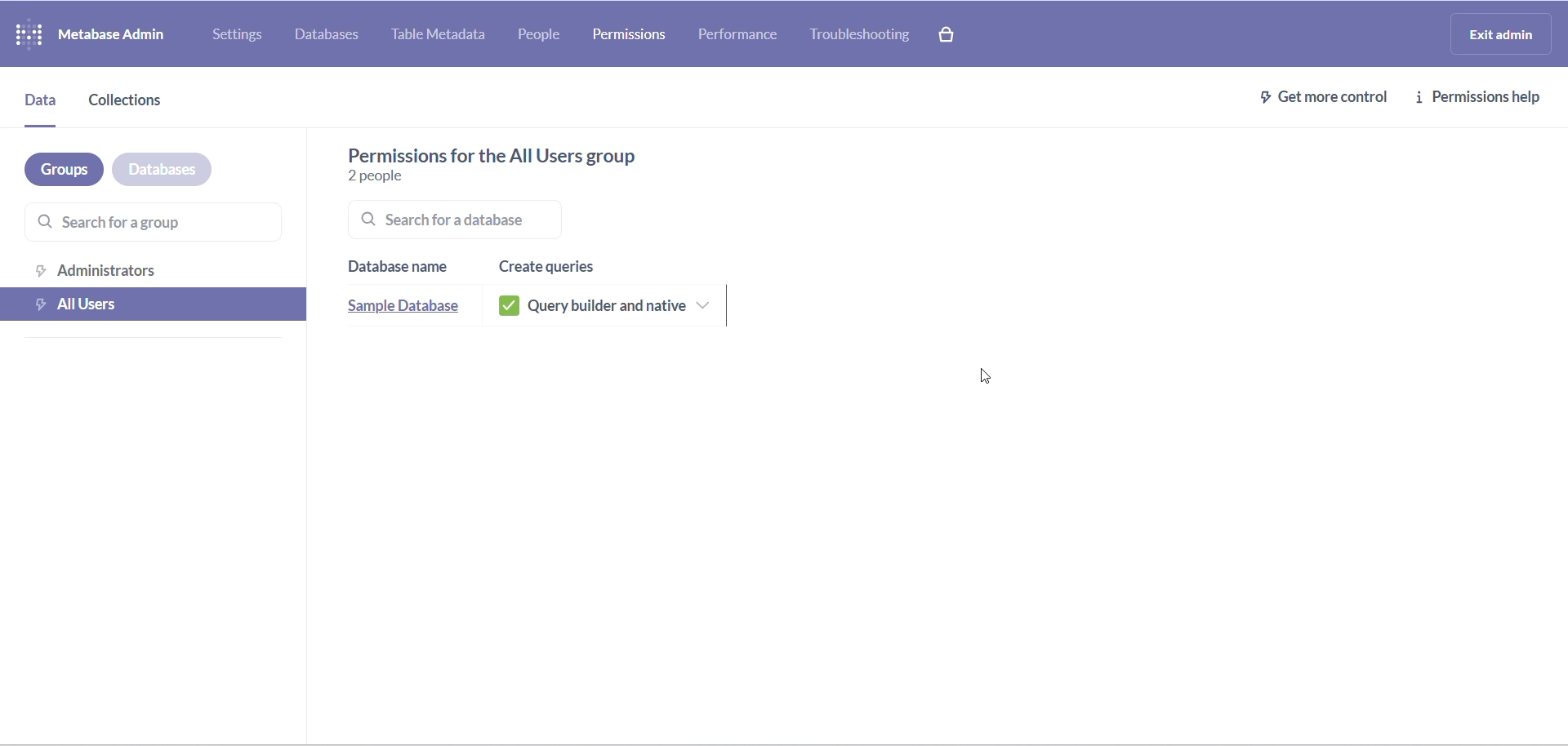  I want to click on sample database, so click(396, 308).